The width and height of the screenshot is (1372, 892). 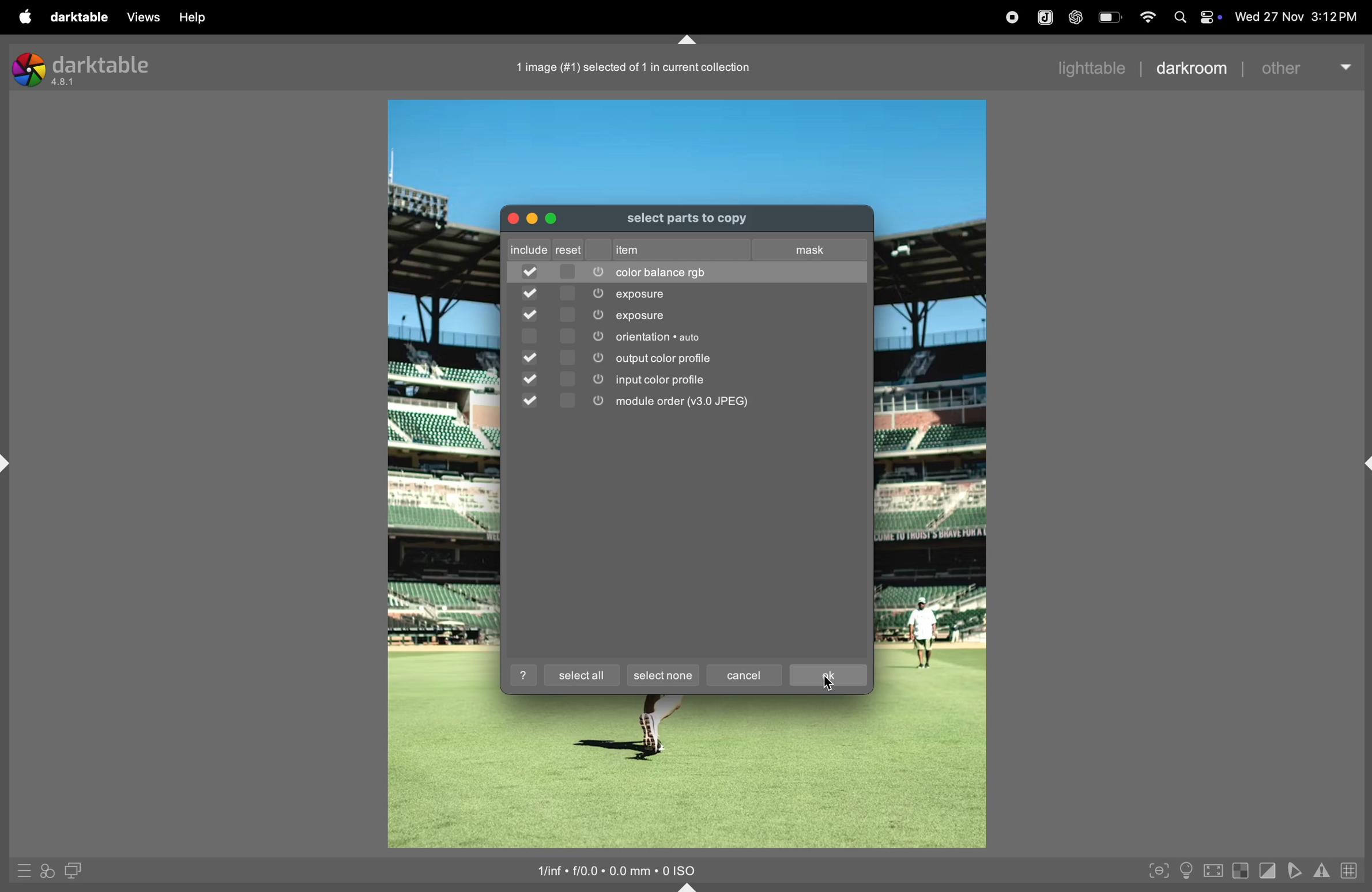 I want to click on select all, so click(x=580, y=674).